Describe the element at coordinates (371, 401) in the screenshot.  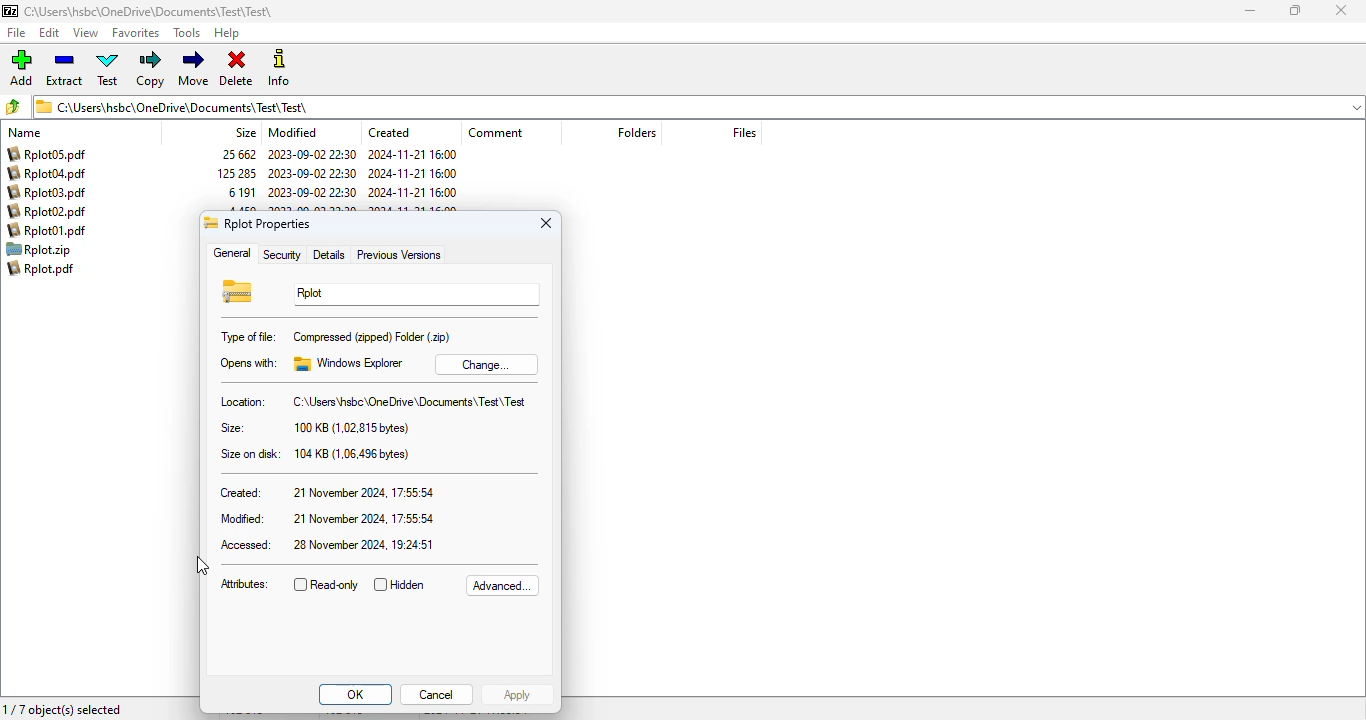
I see `location: C:\Users\hsbc\OneDrive\Documents\Test\` at that location.